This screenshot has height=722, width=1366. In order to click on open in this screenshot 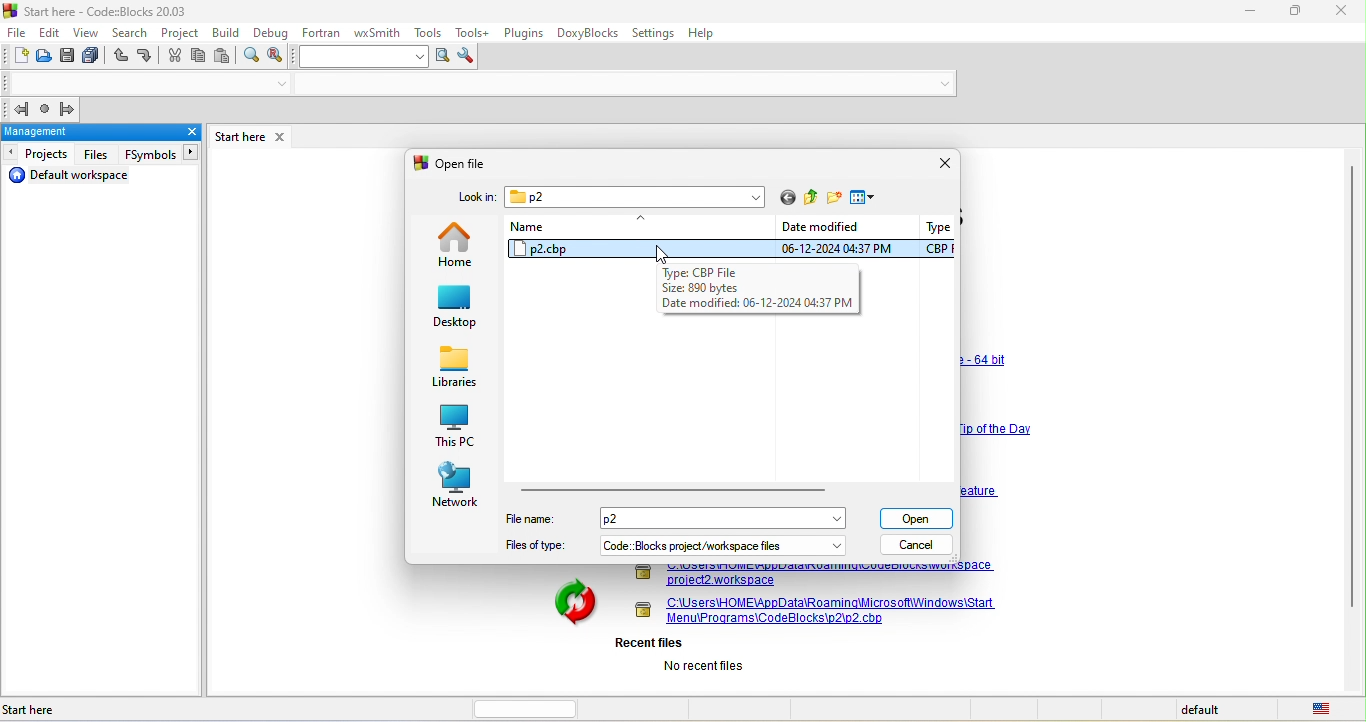, I will do `click(47, 57)`.